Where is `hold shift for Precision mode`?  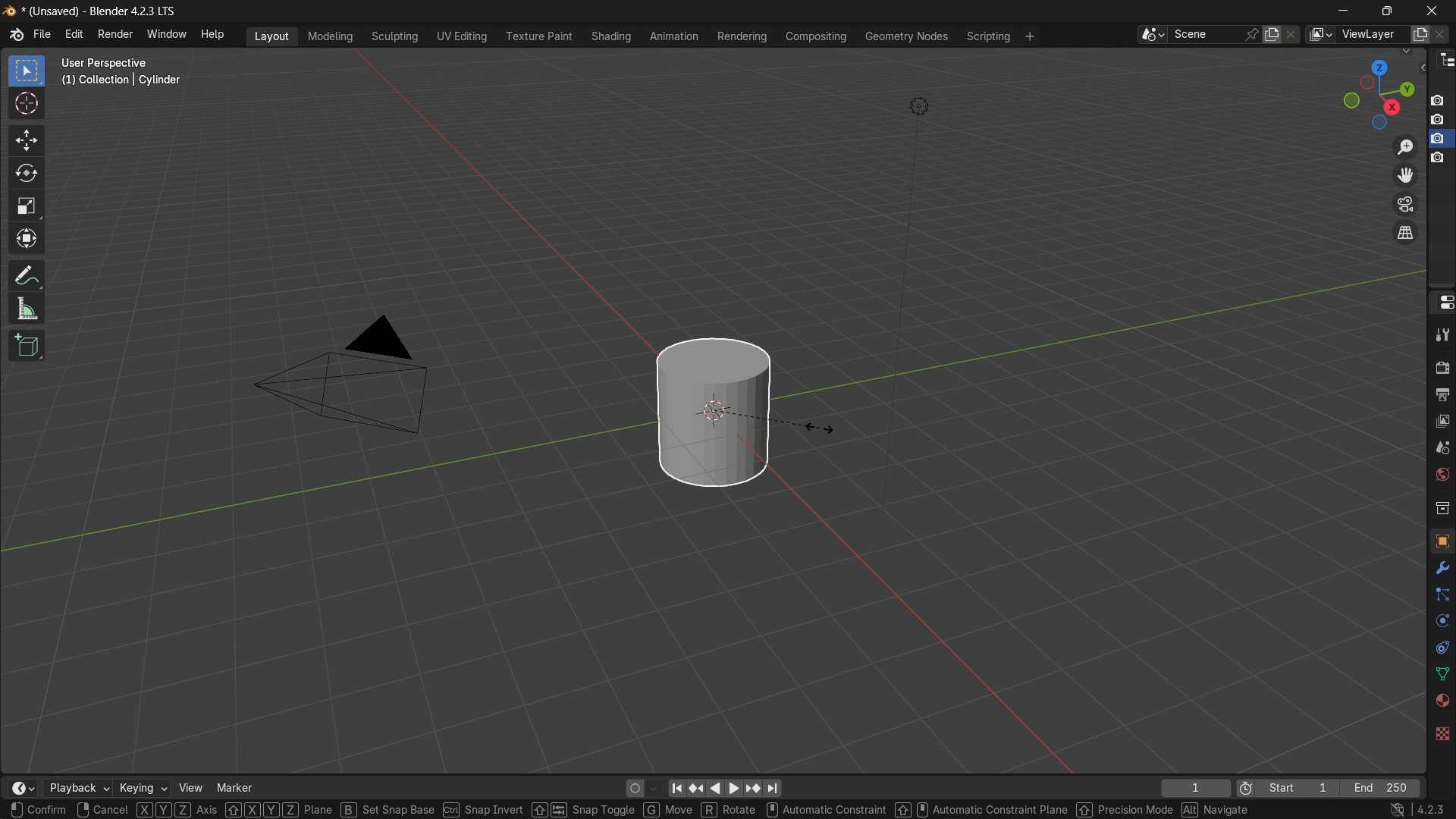
hold shift for Precision mode is located at coordinates (1124, 810).